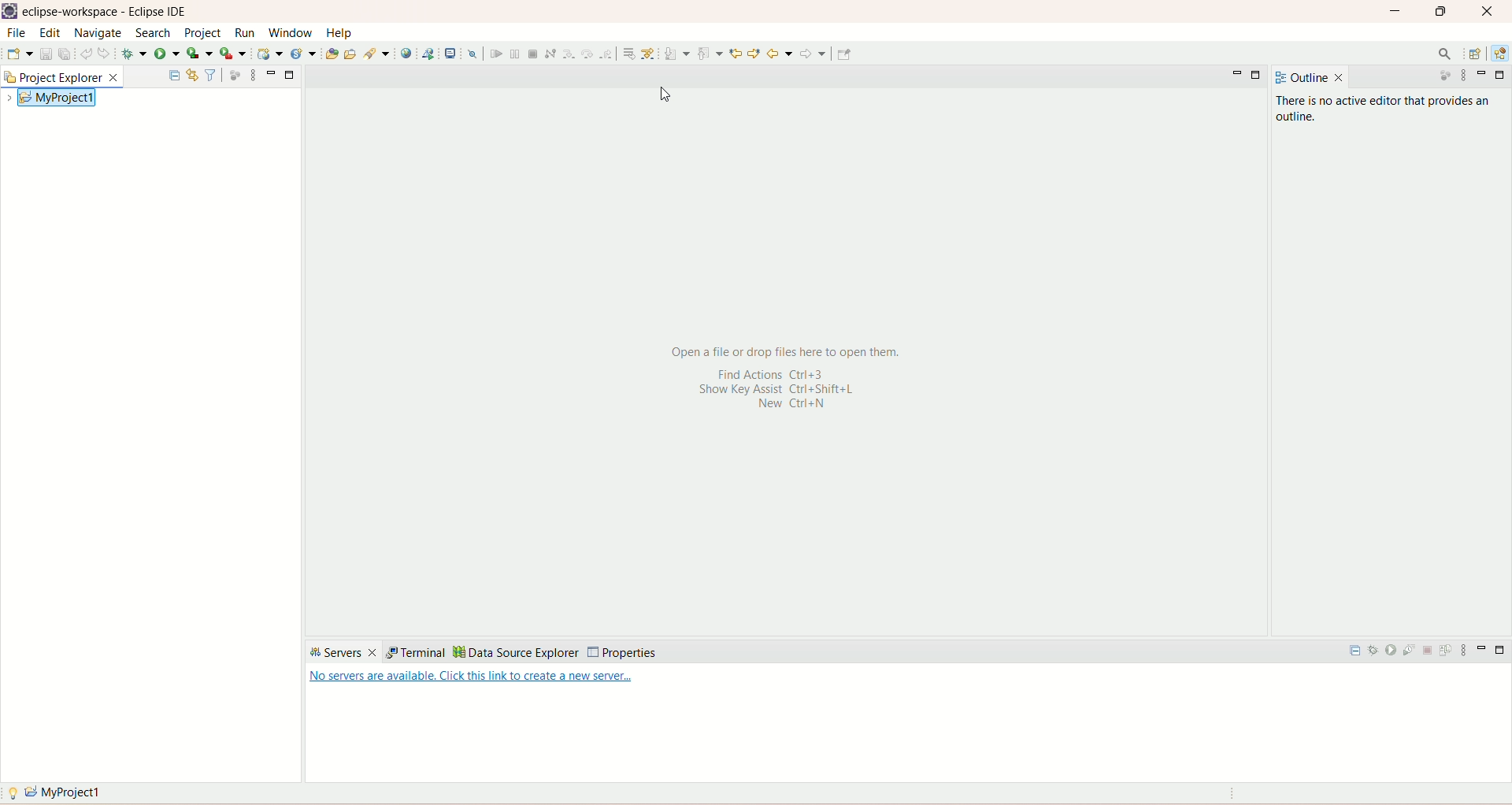  Describe the element at coordinates (1355, 655) in the screenshot. I see `collapse all` at that location.